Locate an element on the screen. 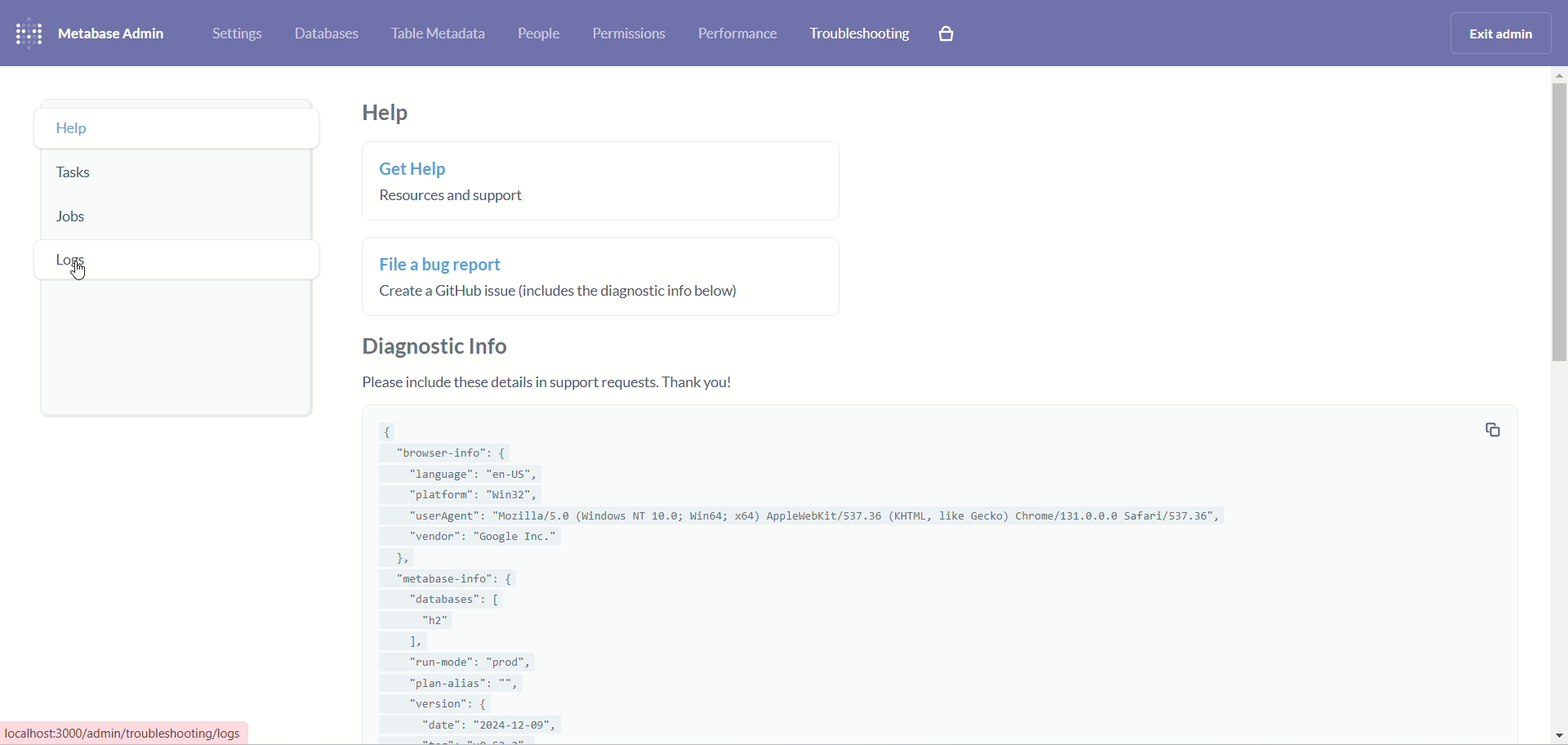  troubleshooting is located at coordinates (862, 35).